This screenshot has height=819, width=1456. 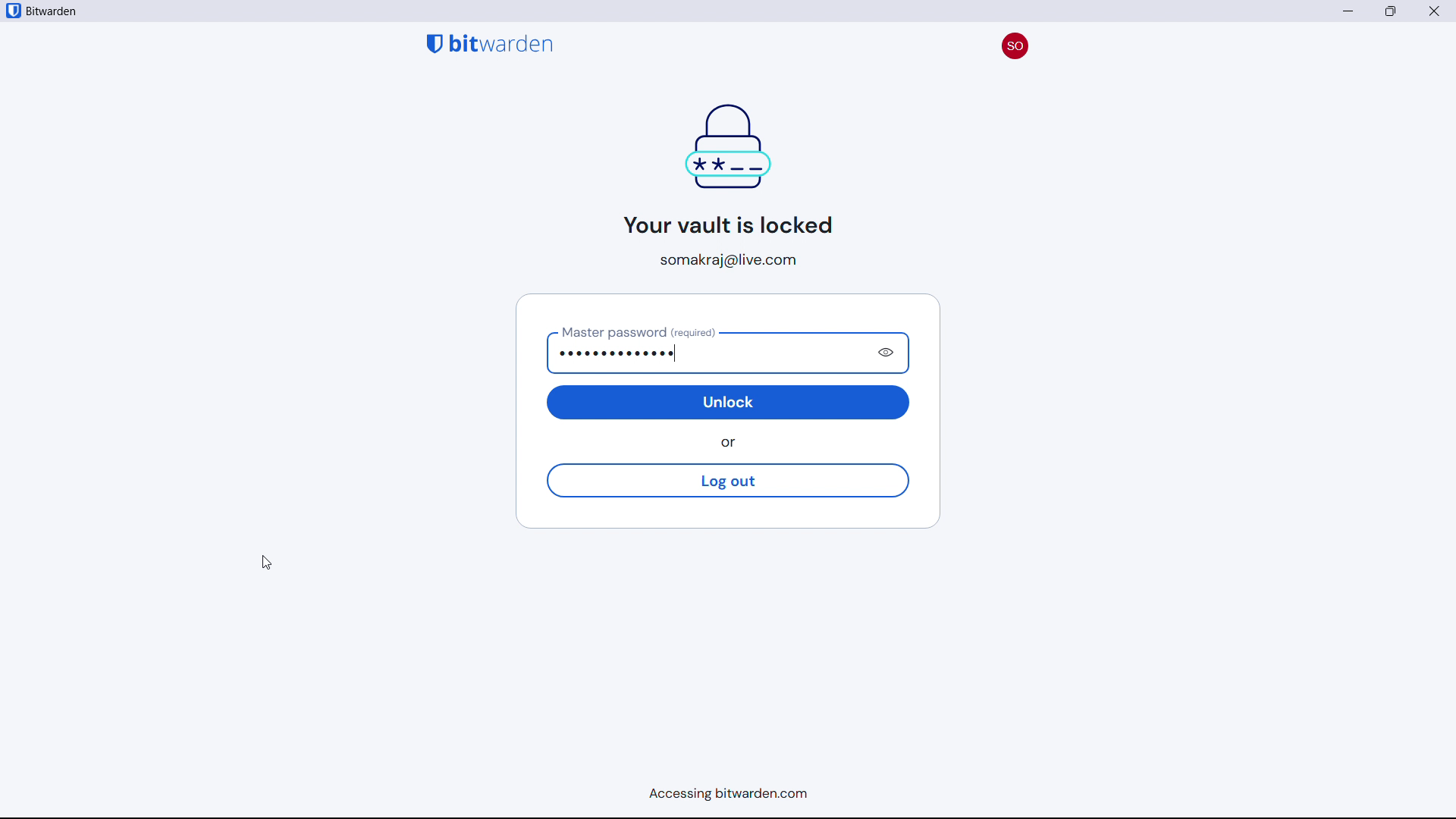 I want to click on logo, so click(x=13, y=11).